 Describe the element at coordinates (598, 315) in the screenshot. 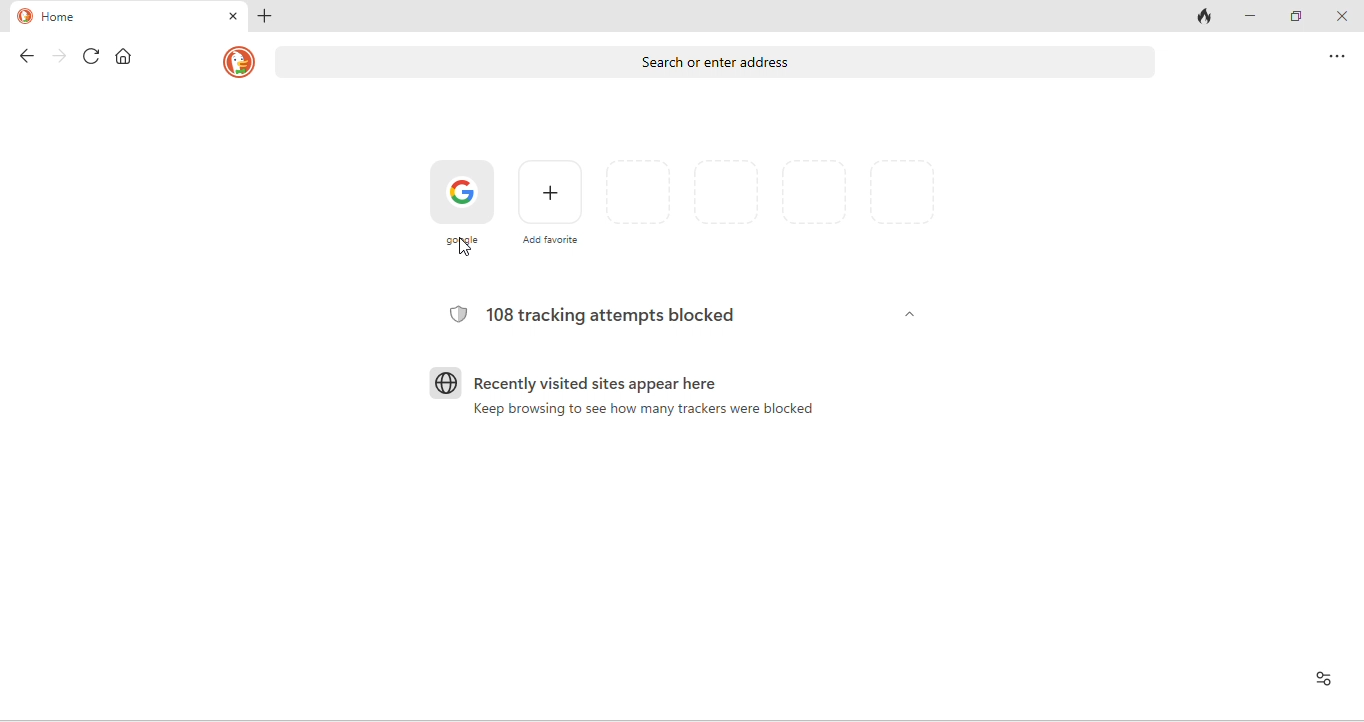

I see `108 tracking attempts blocked` at that location.